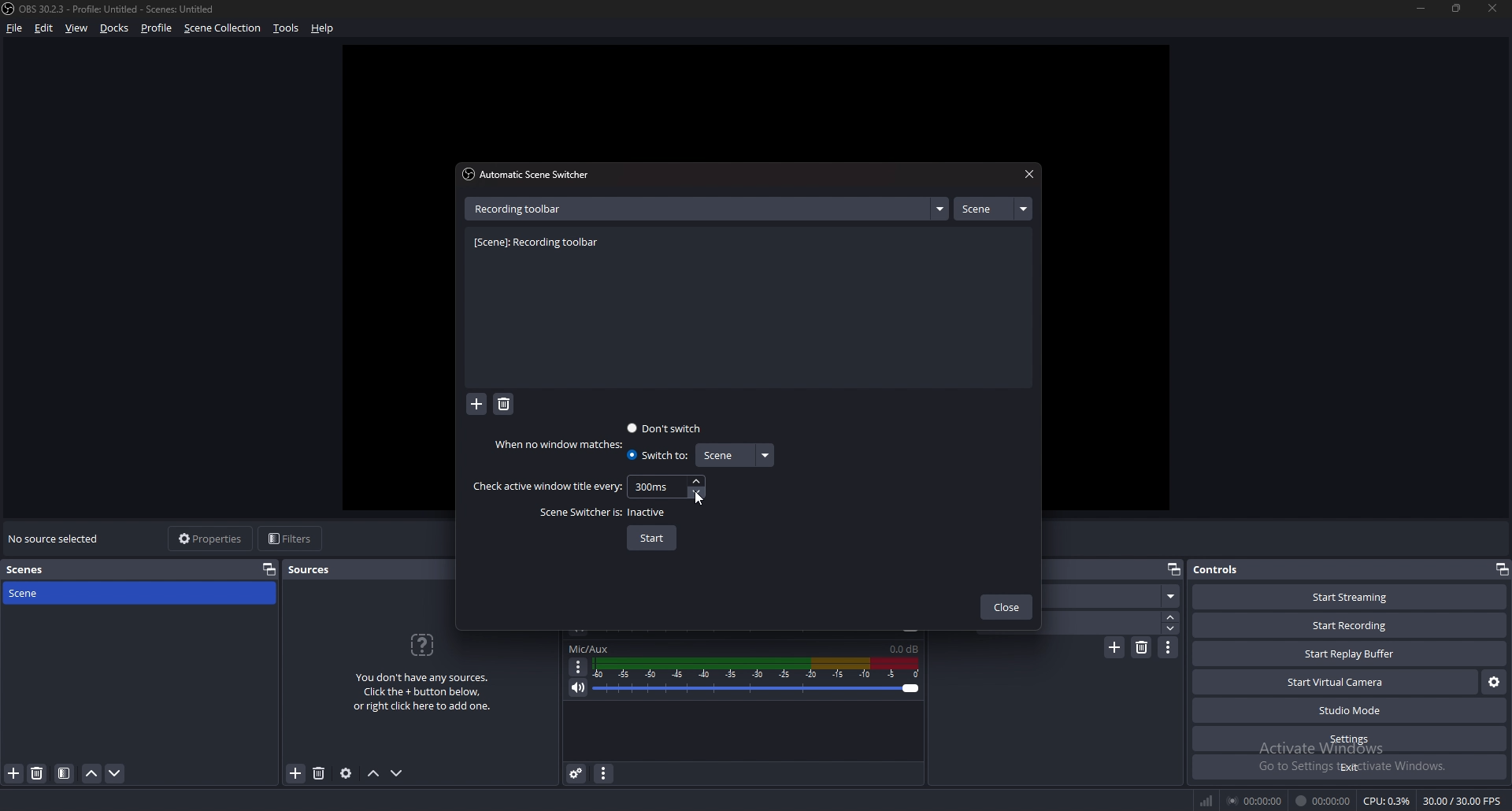  Describe the element at coordinates (1387, 801) in the screenshot. I see `cpu` at that location.